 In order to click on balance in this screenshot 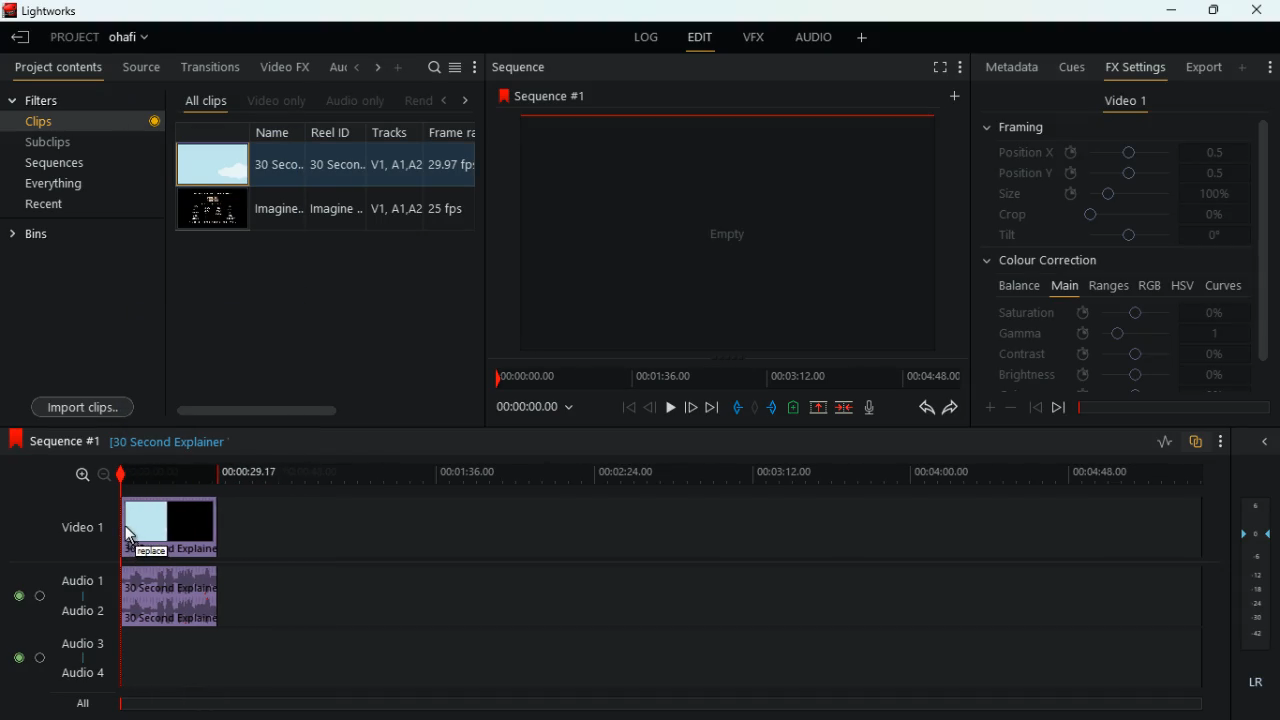, I will do `click(1018, 286)`.